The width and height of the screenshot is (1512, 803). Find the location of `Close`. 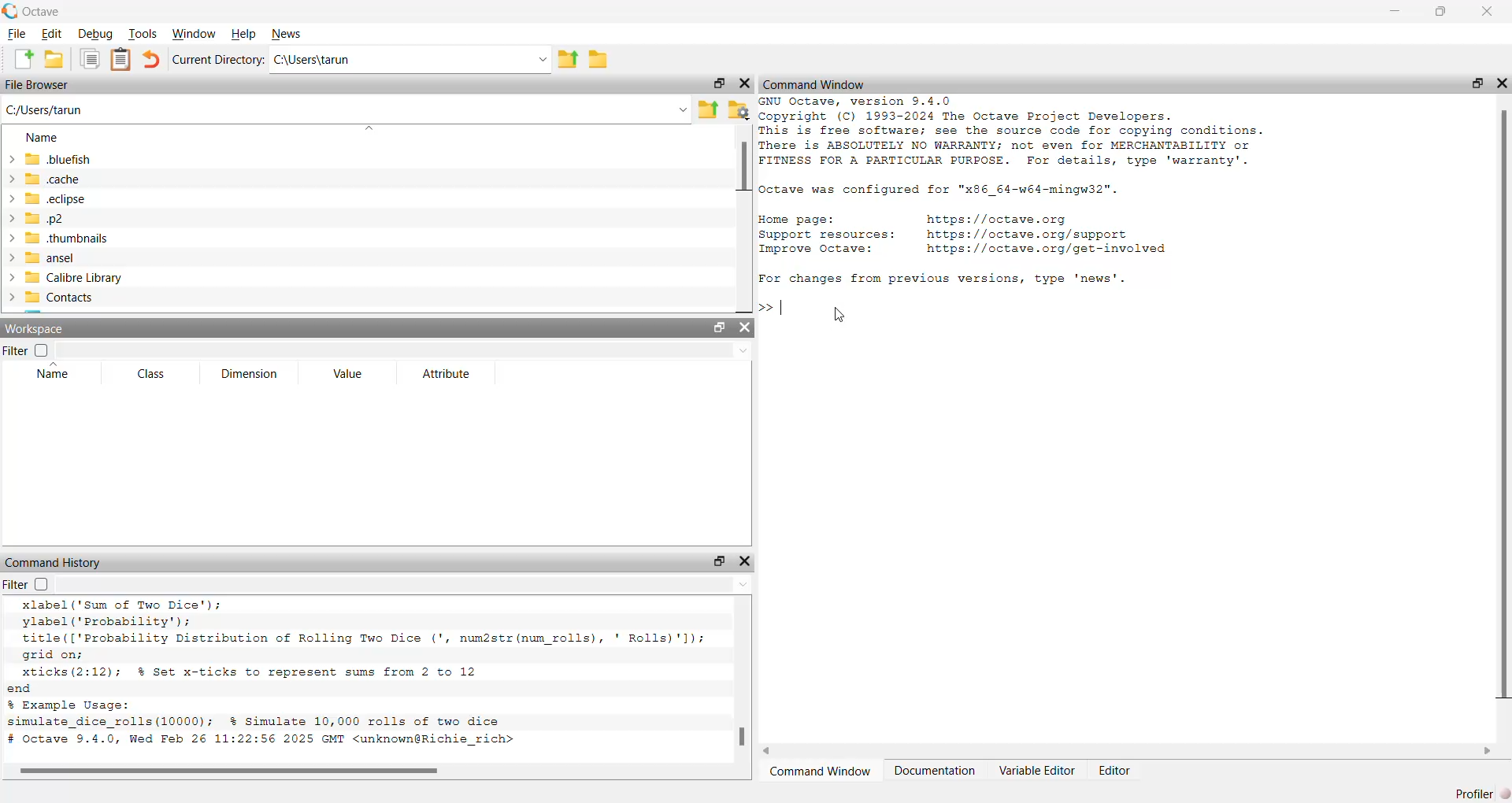

Close is located at coordinates (1503, 86).